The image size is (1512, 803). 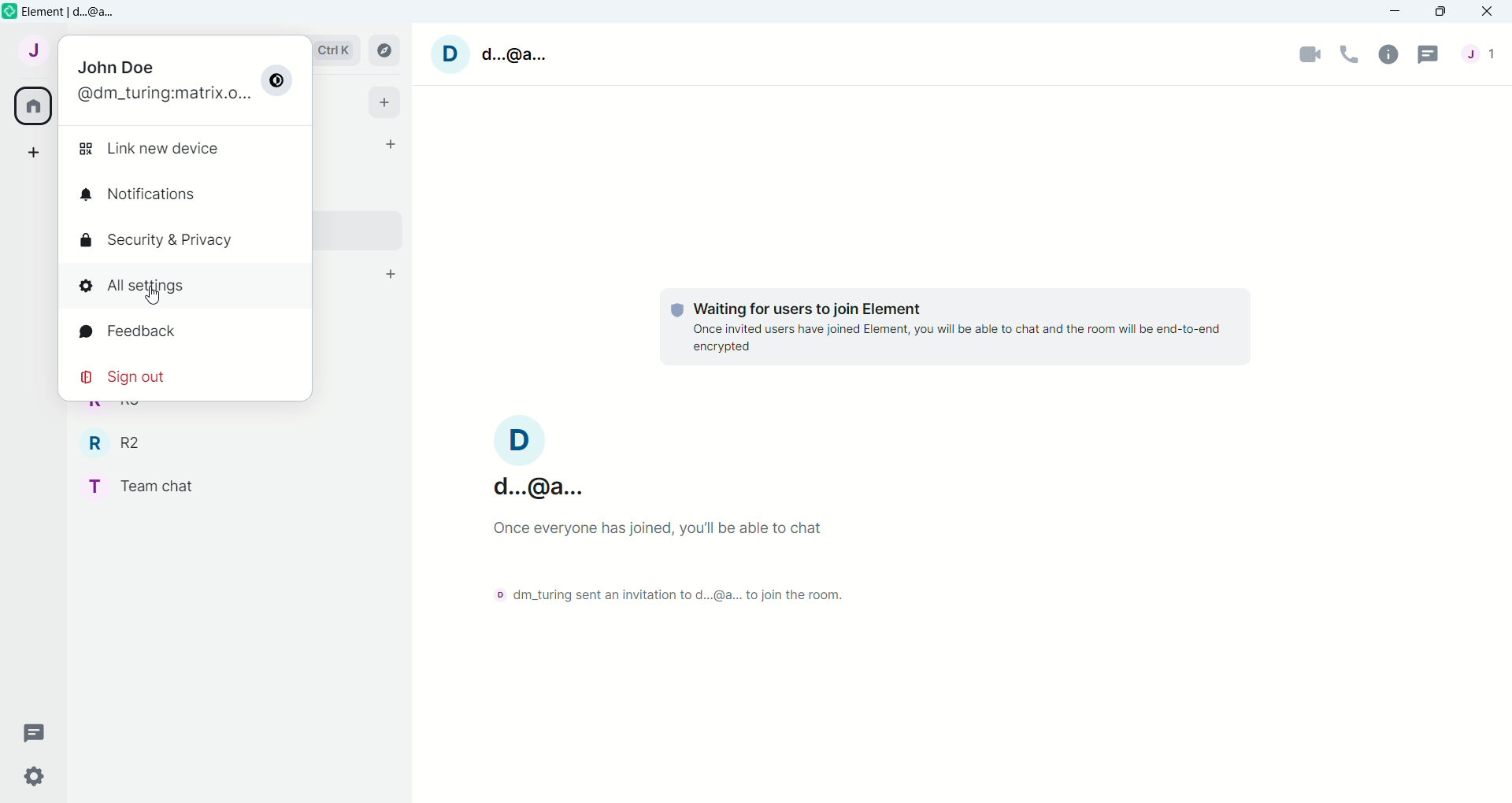 I want to click on Close, so click(x=1489, y=13).